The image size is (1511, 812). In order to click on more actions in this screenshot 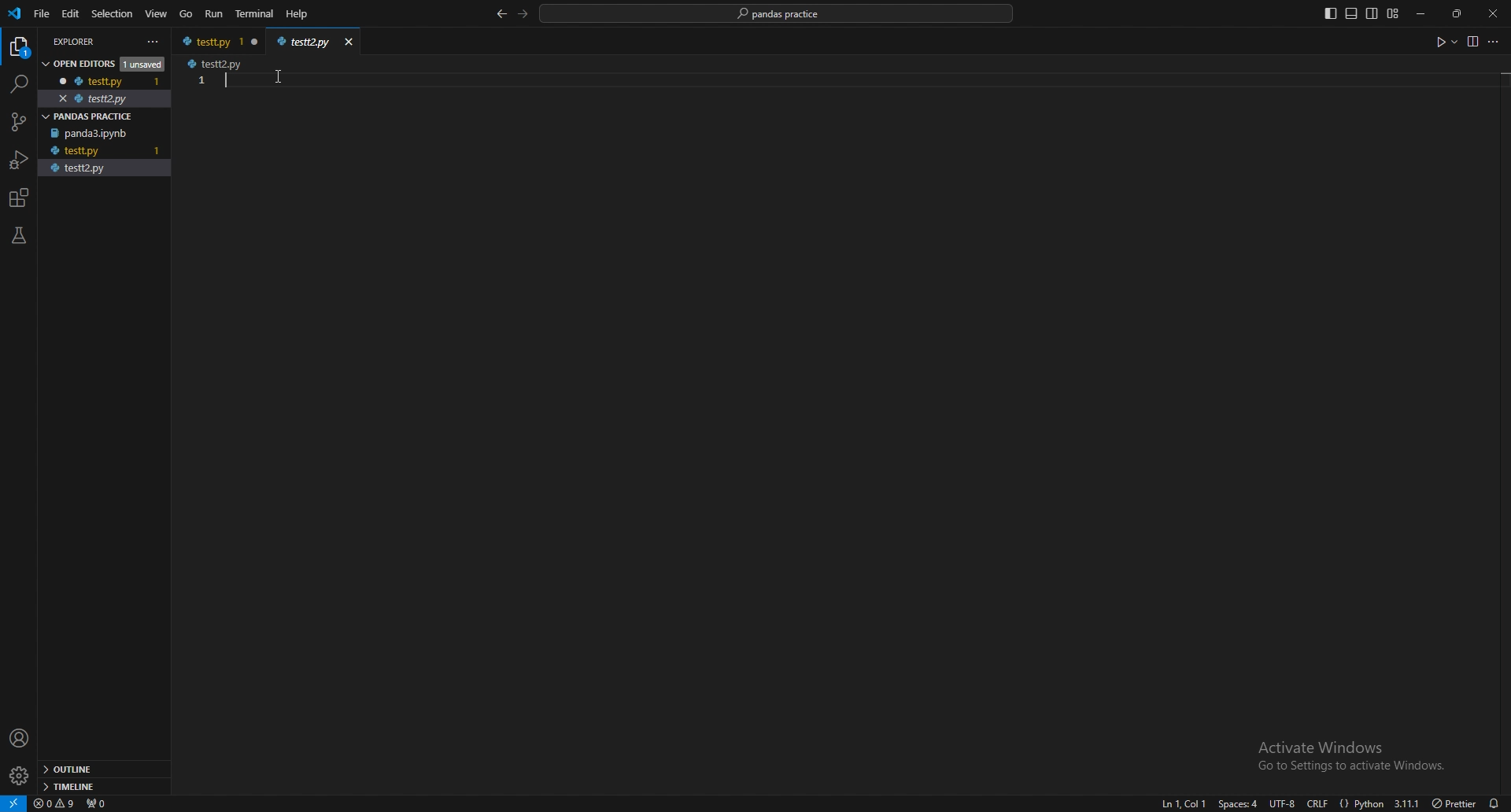, I will do `click(153, 42)`.